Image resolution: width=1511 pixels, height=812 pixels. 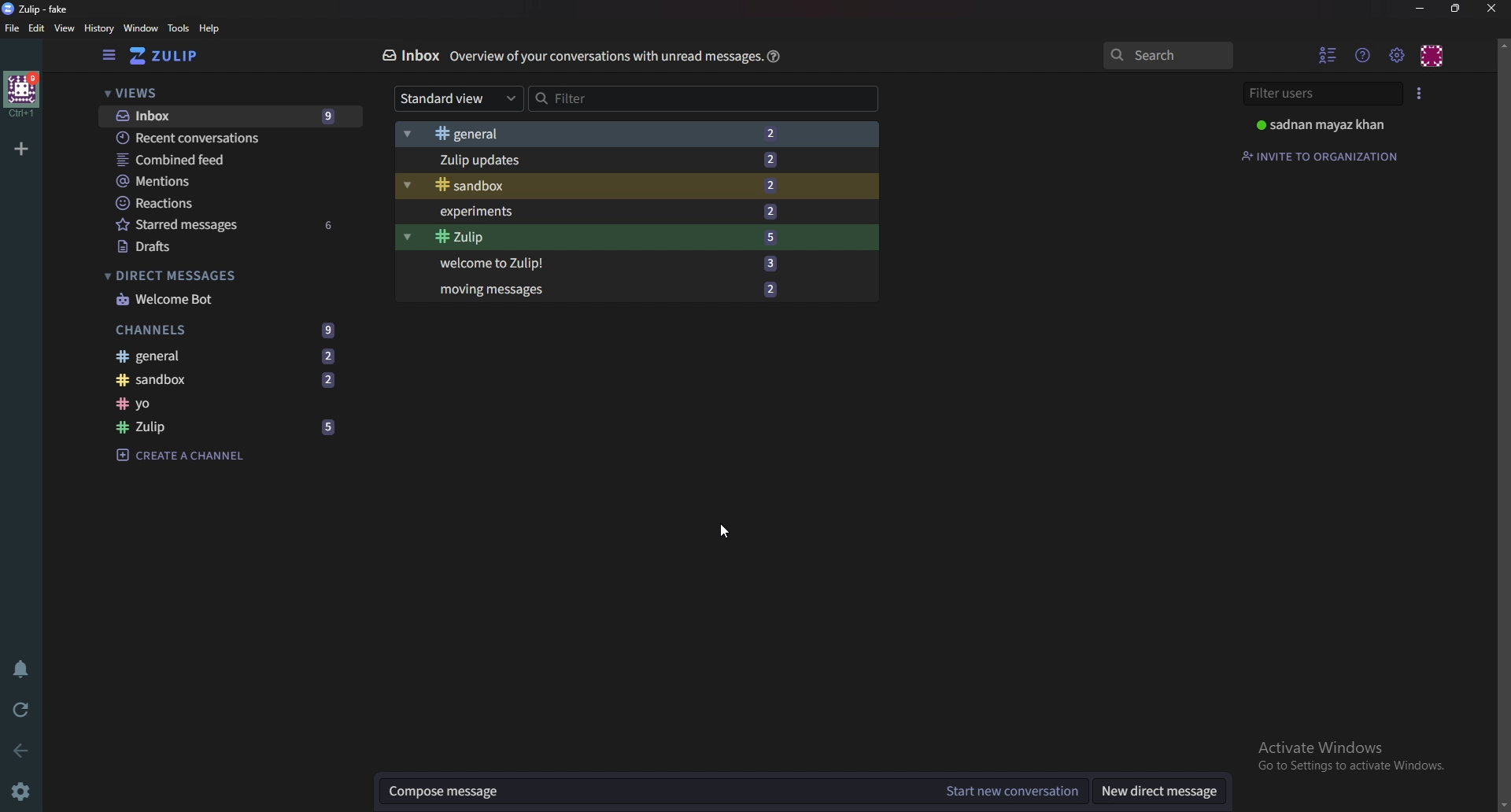 What do you see at coordinates (231, 356) in the screenshot?
I see `General` at bounding box center [231, 356].